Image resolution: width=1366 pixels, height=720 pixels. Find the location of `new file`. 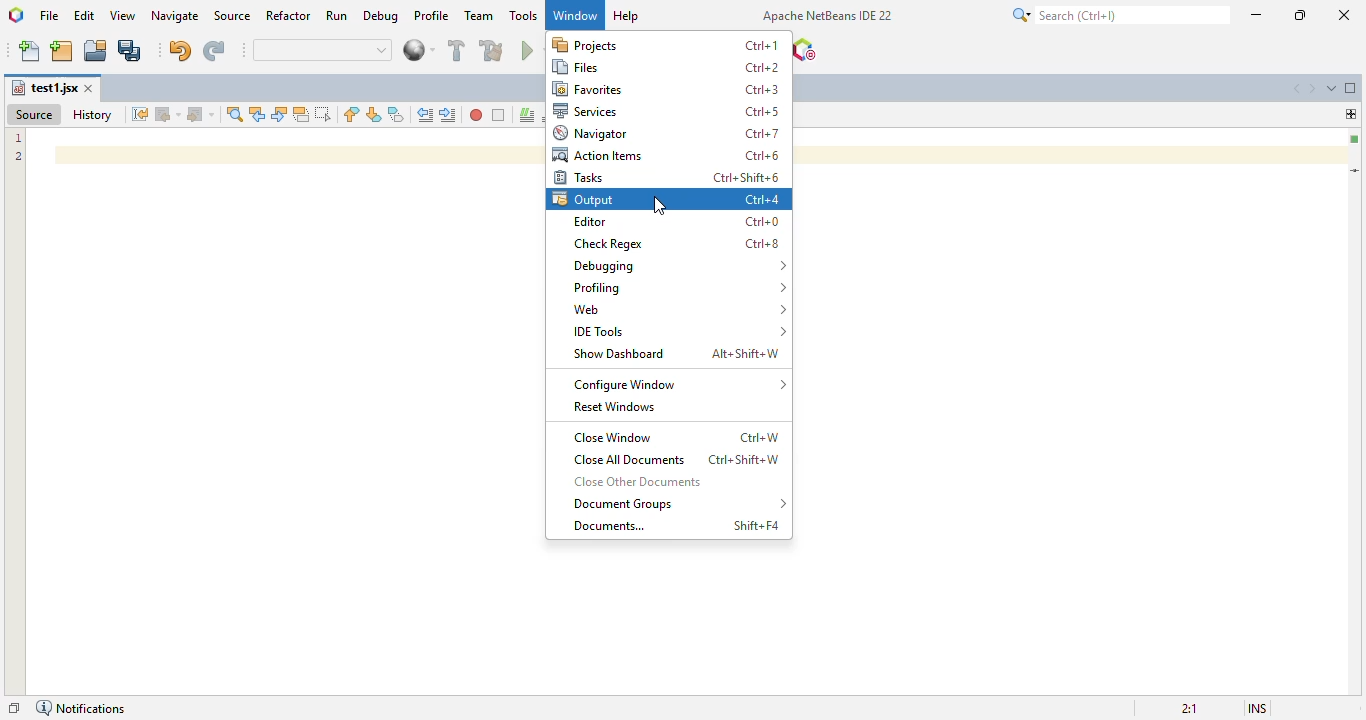

new file is located at coordinates (30, 51).